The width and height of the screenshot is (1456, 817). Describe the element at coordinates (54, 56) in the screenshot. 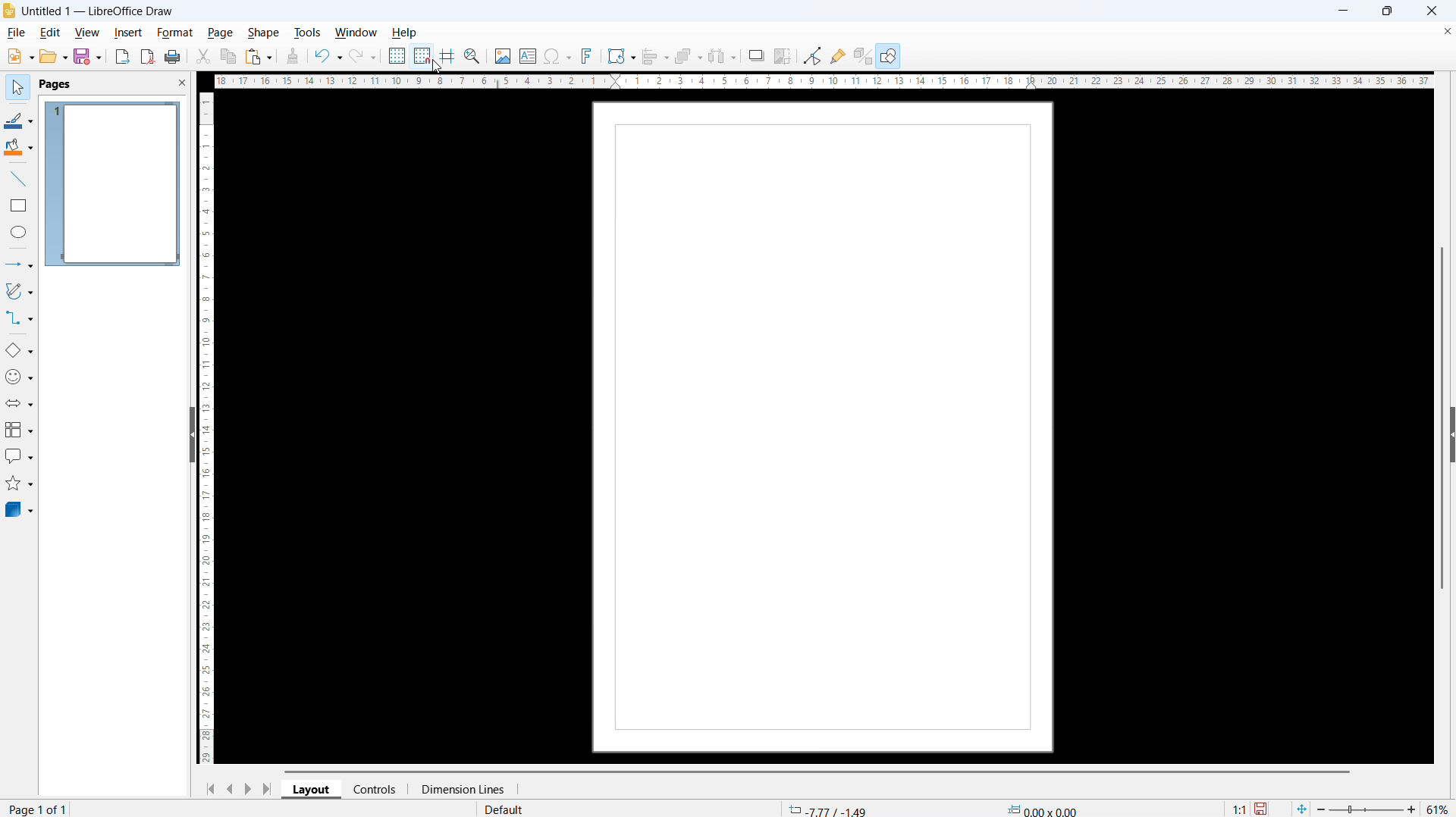

I see `open ` at that location.